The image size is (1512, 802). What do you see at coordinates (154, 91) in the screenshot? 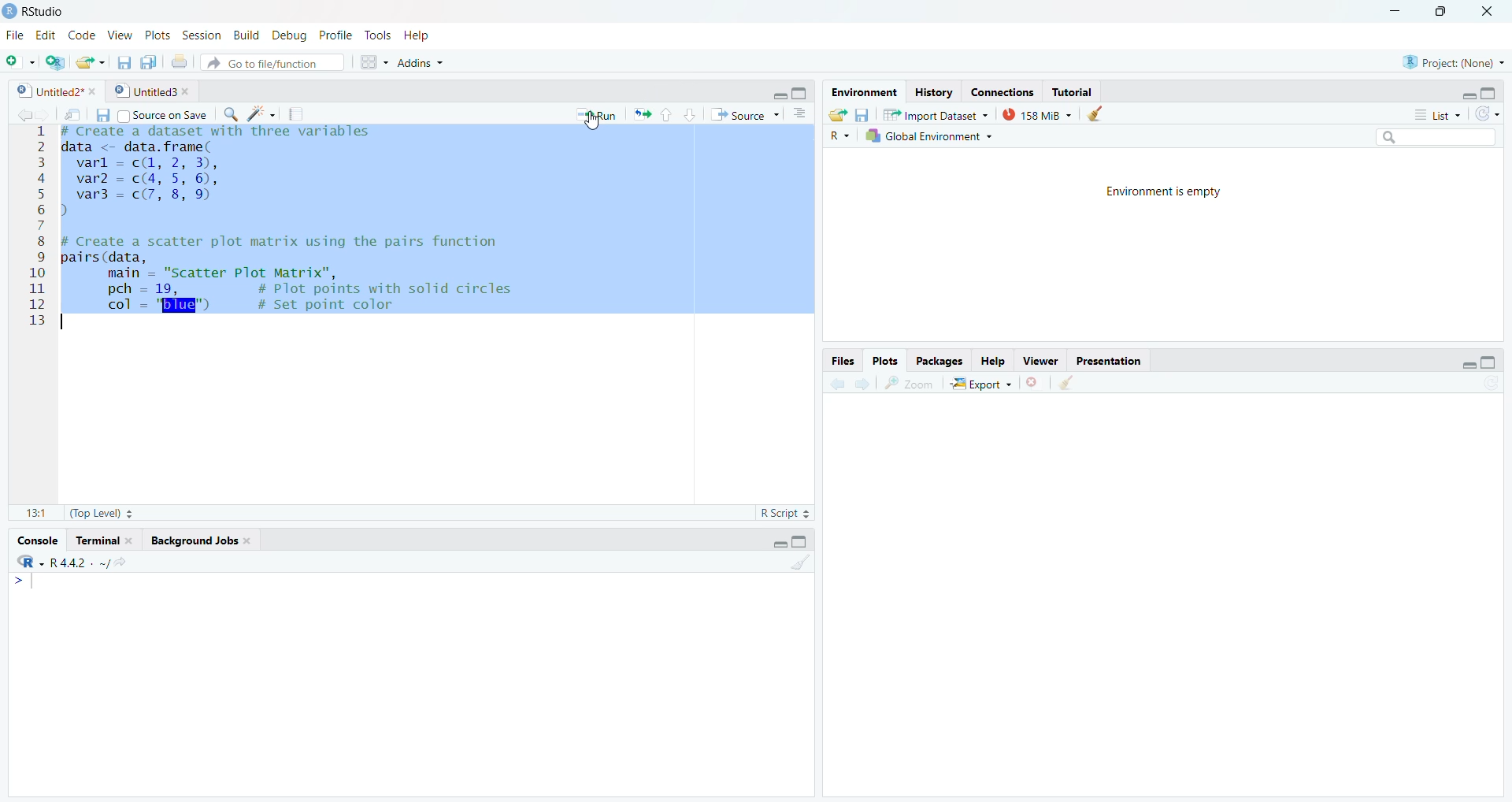
I see `) | Untitled3` at bounding box center [154, 91].